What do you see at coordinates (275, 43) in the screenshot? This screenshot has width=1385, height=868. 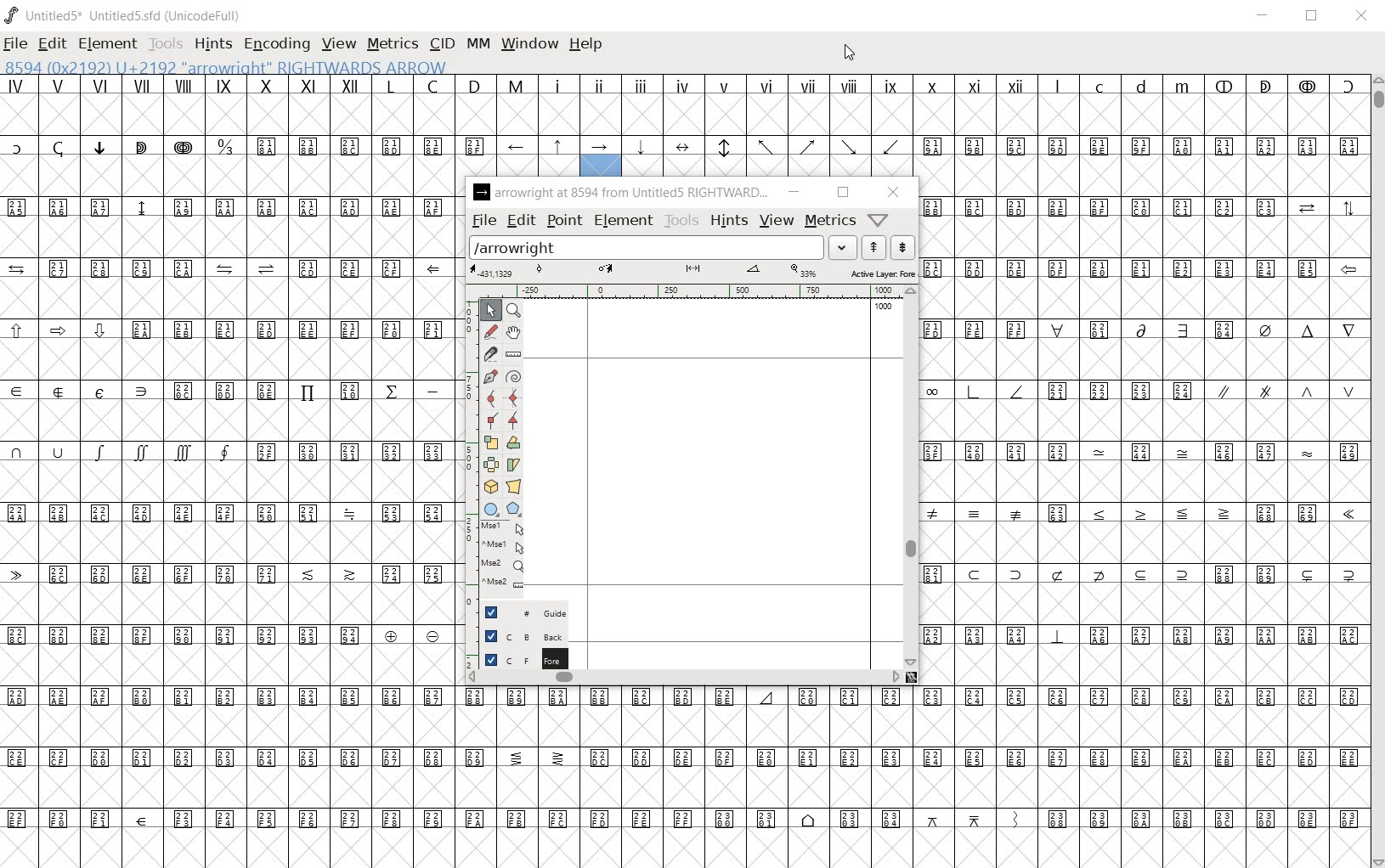 I see `ENCODING` at bounding box center [275, 43].